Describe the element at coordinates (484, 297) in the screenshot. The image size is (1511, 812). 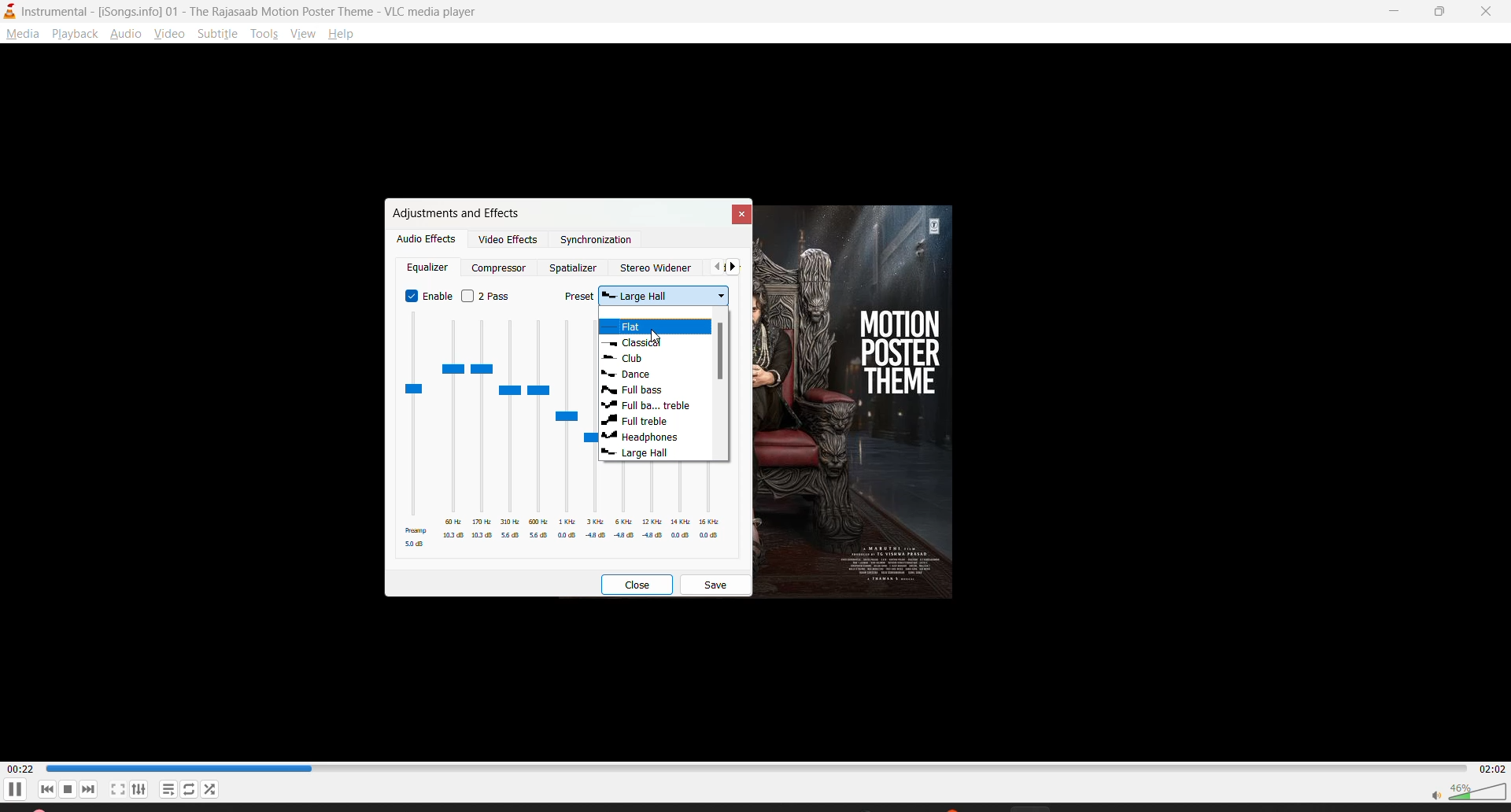
I see `2 pass` at that location.